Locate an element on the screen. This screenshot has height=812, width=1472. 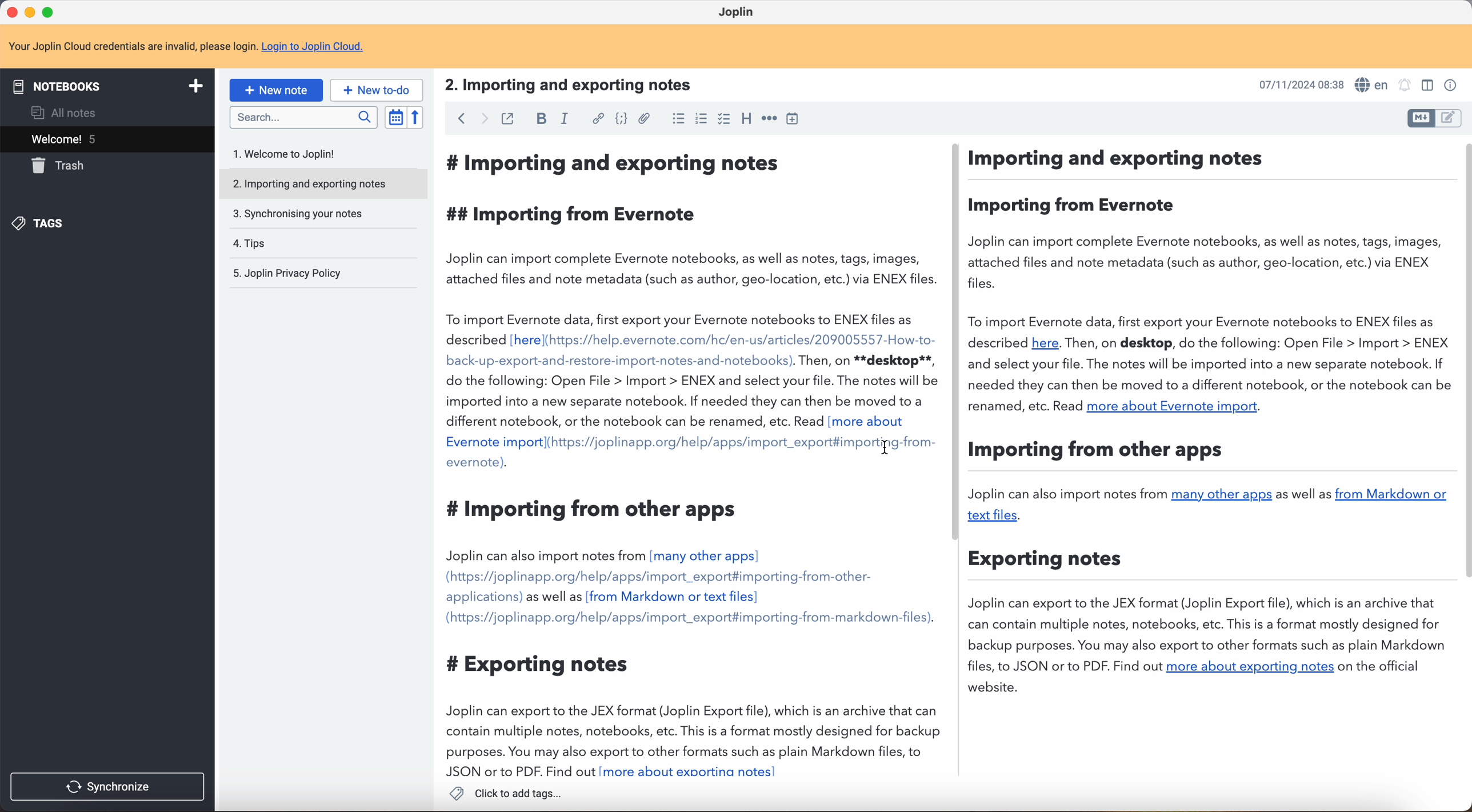
21/12/2024 21:23 is located at coordinates (1295, 84).